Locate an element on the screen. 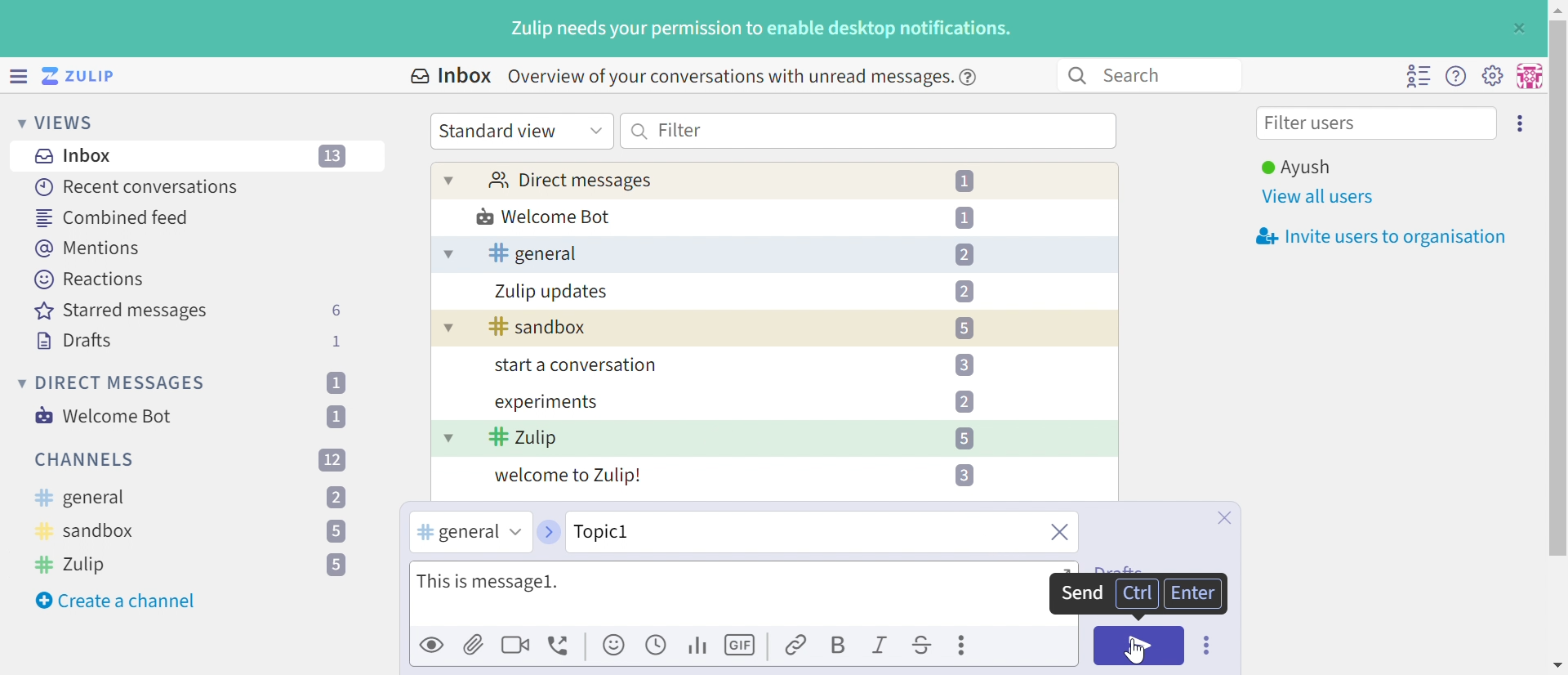  This is message 1 is located at coordinates (492, 583).